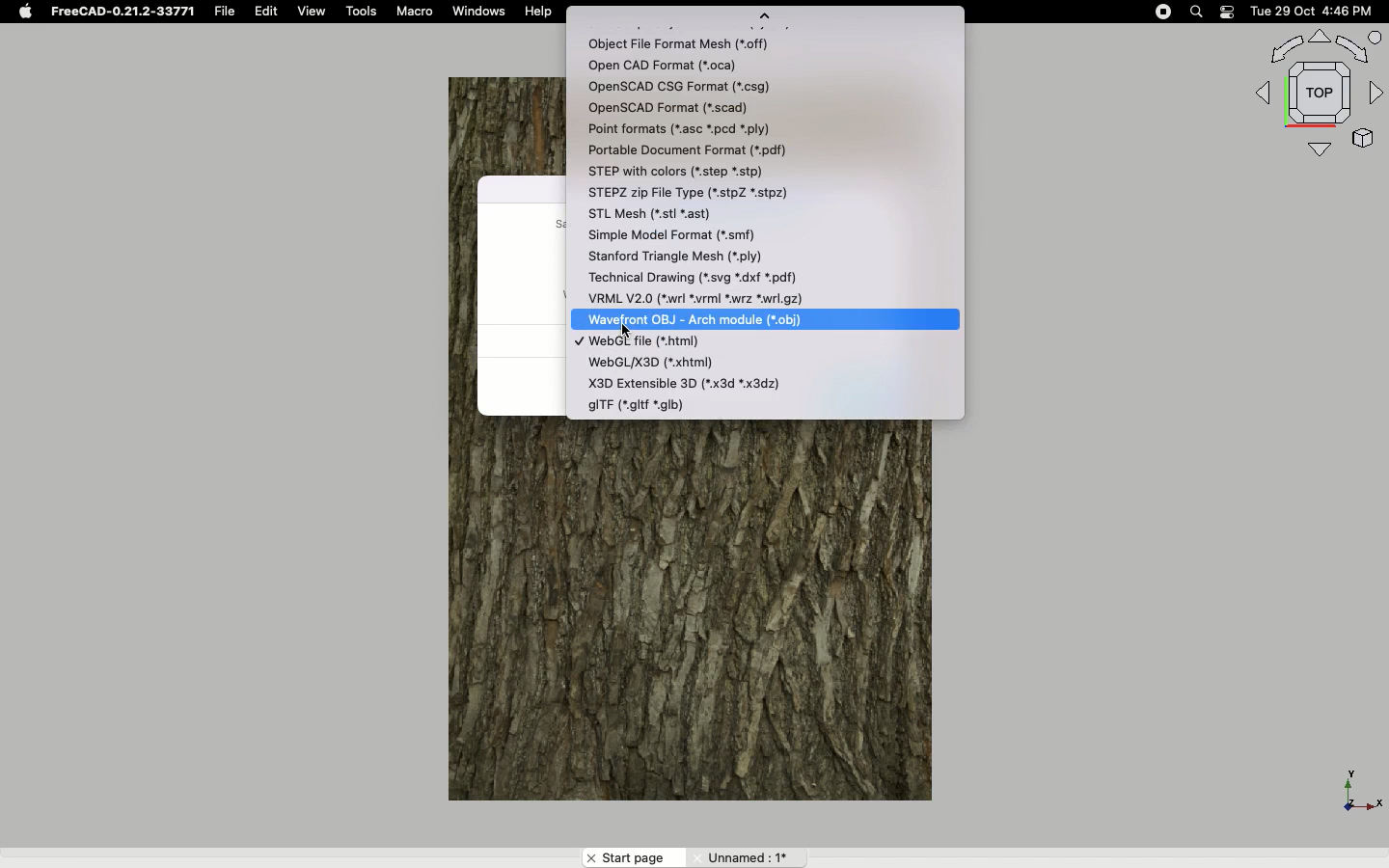 This screenshot has width=1389, height=868. What do you see at coordinates (641, 404) in the screenshot?
I see `gITF (*gltf *glb)` at bounding box center [641, 404].